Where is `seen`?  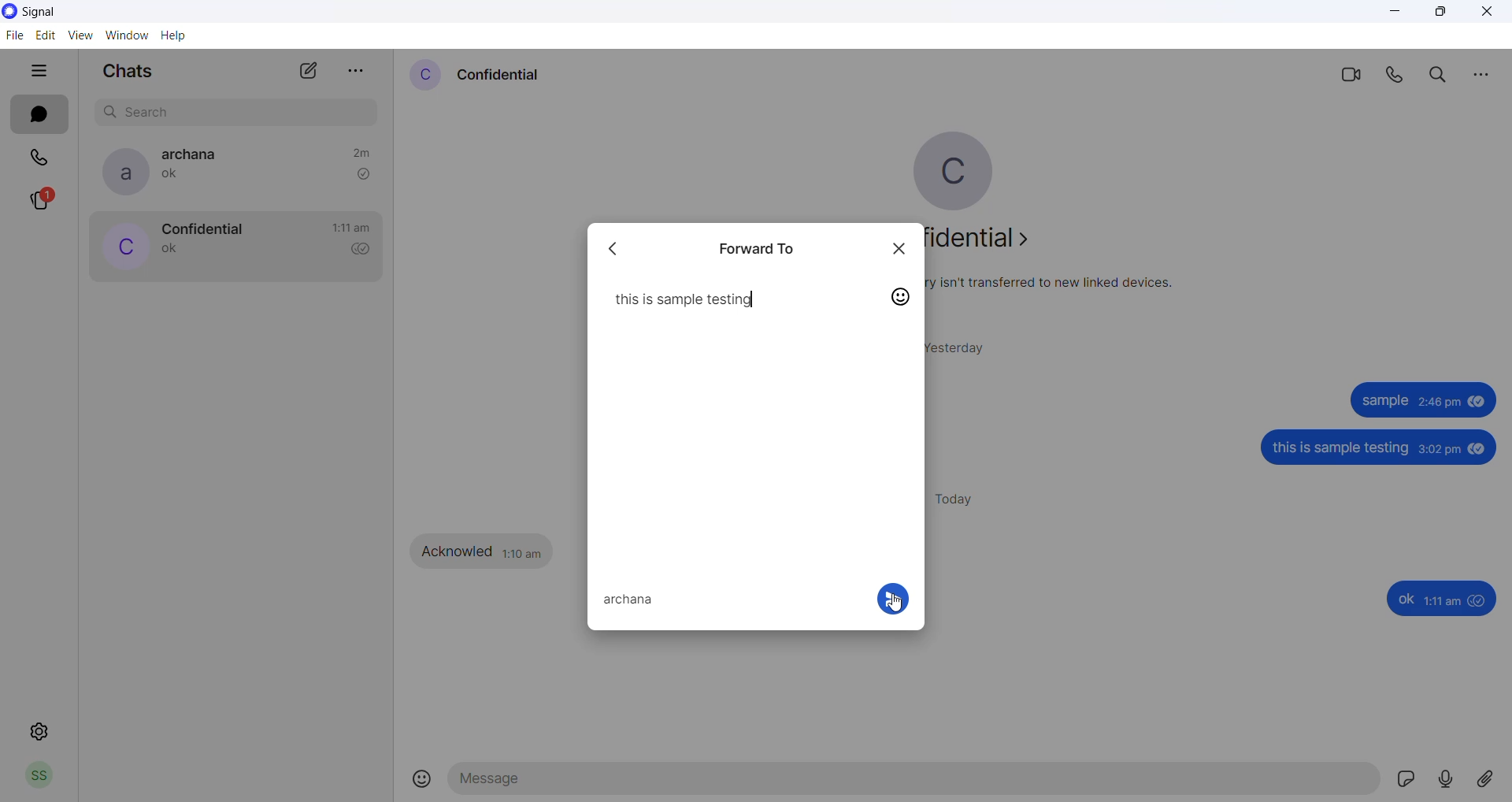
seen is located at coordinates (1479, 449).